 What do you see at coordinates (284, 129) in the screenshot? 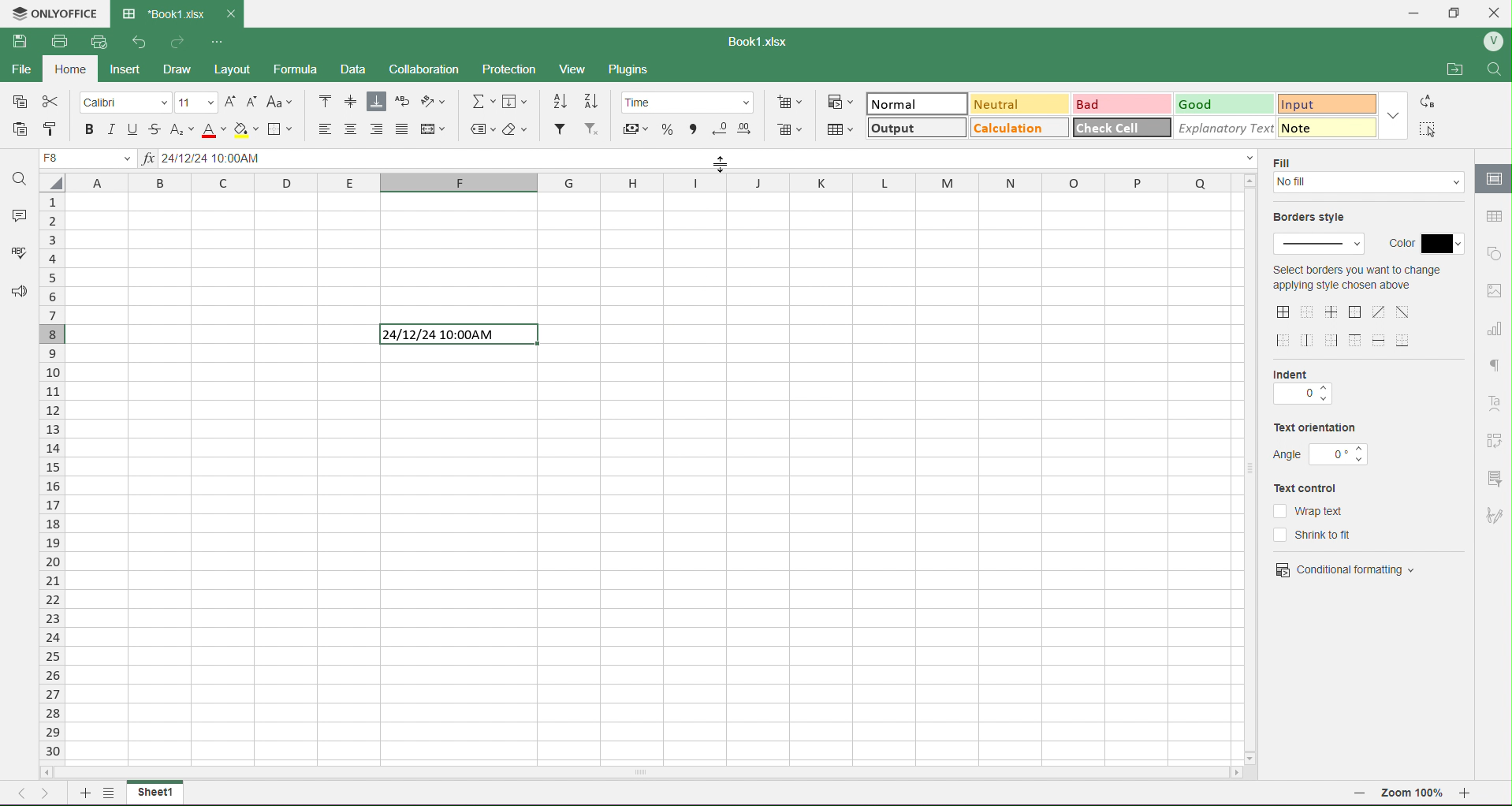
I see `Borders` at bounding box center [284, 129].